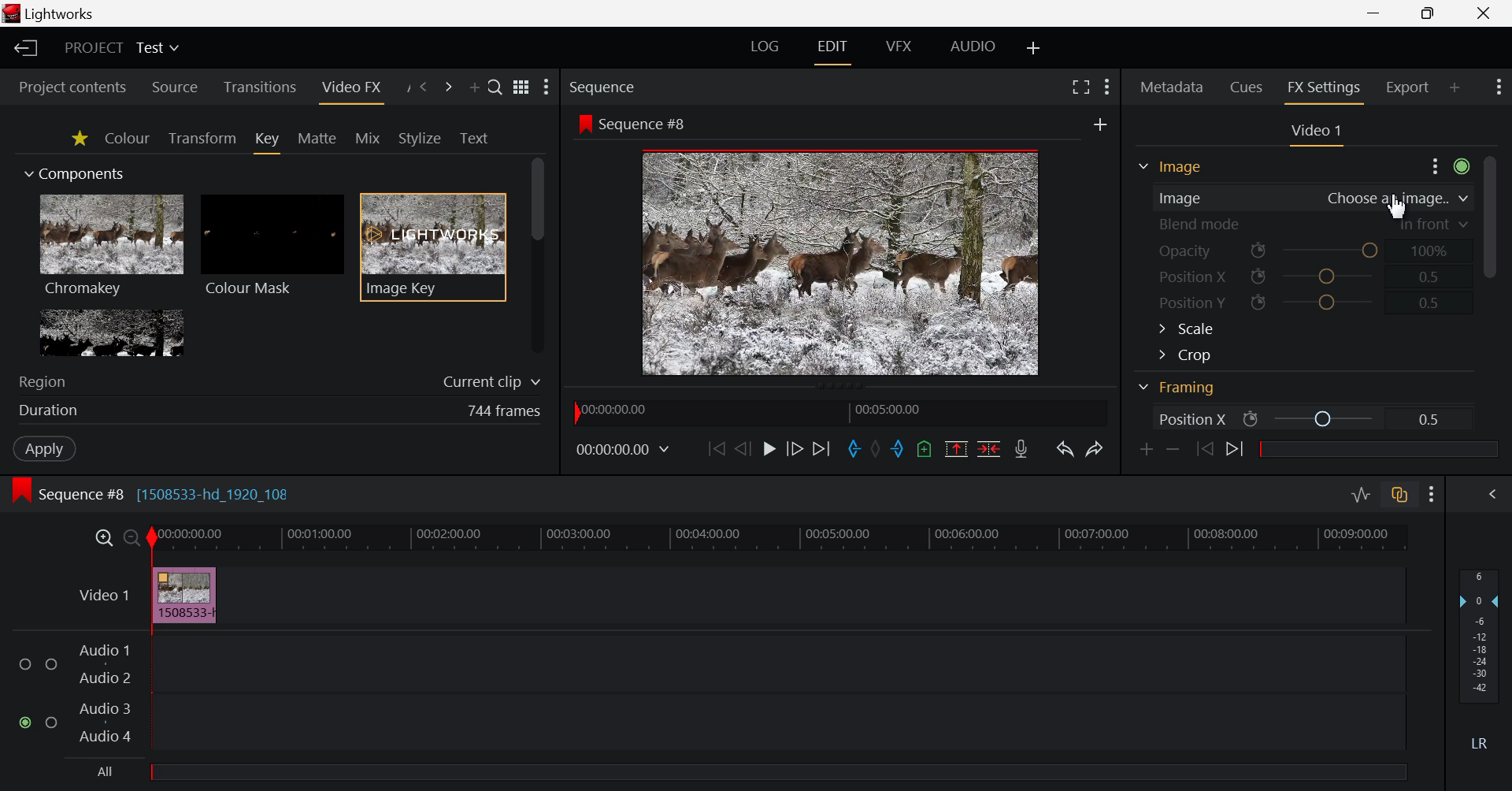 The image size is (1512, 791). Describe the element at coordinates (50, 409) in the screenshot. I see `Duration` at that location.